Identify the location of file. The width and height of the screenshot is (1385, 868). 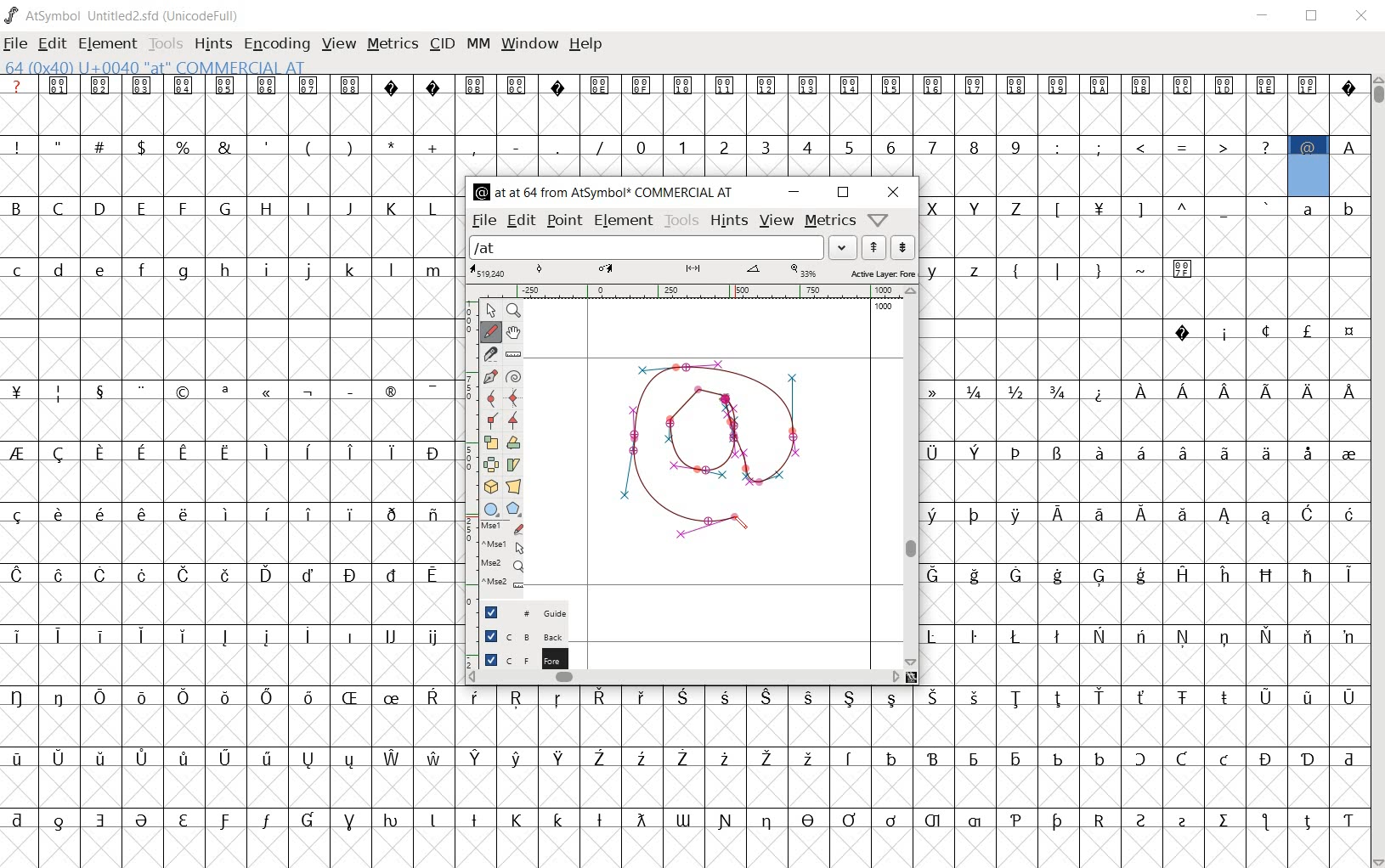
(483, 222).